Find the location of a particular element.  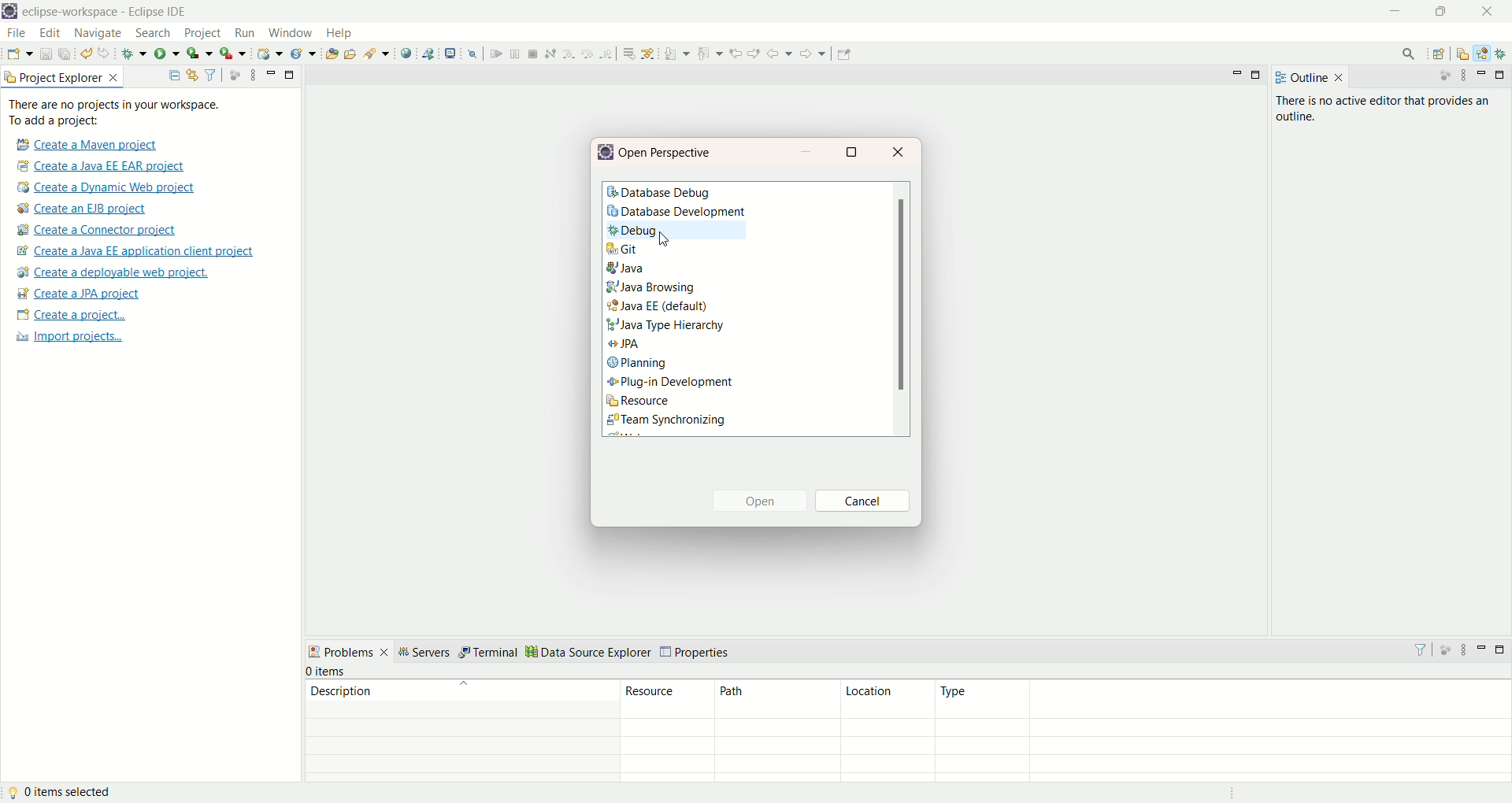

open a terminal is located at coordinates (449, 53).